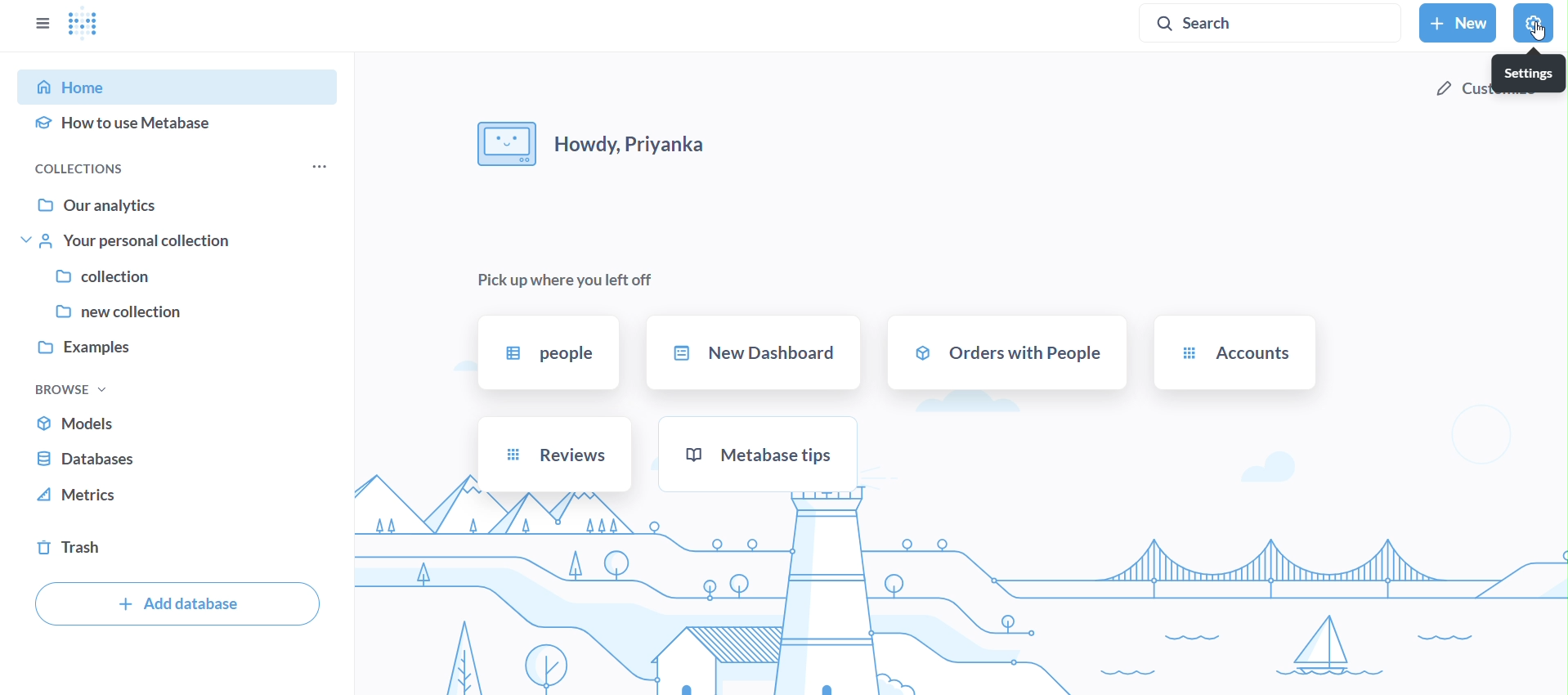 This screenshot has width=1568, height=695. Describe the element at coordinates (176, 314) in the screenshot. I see `new collection ` at that location.